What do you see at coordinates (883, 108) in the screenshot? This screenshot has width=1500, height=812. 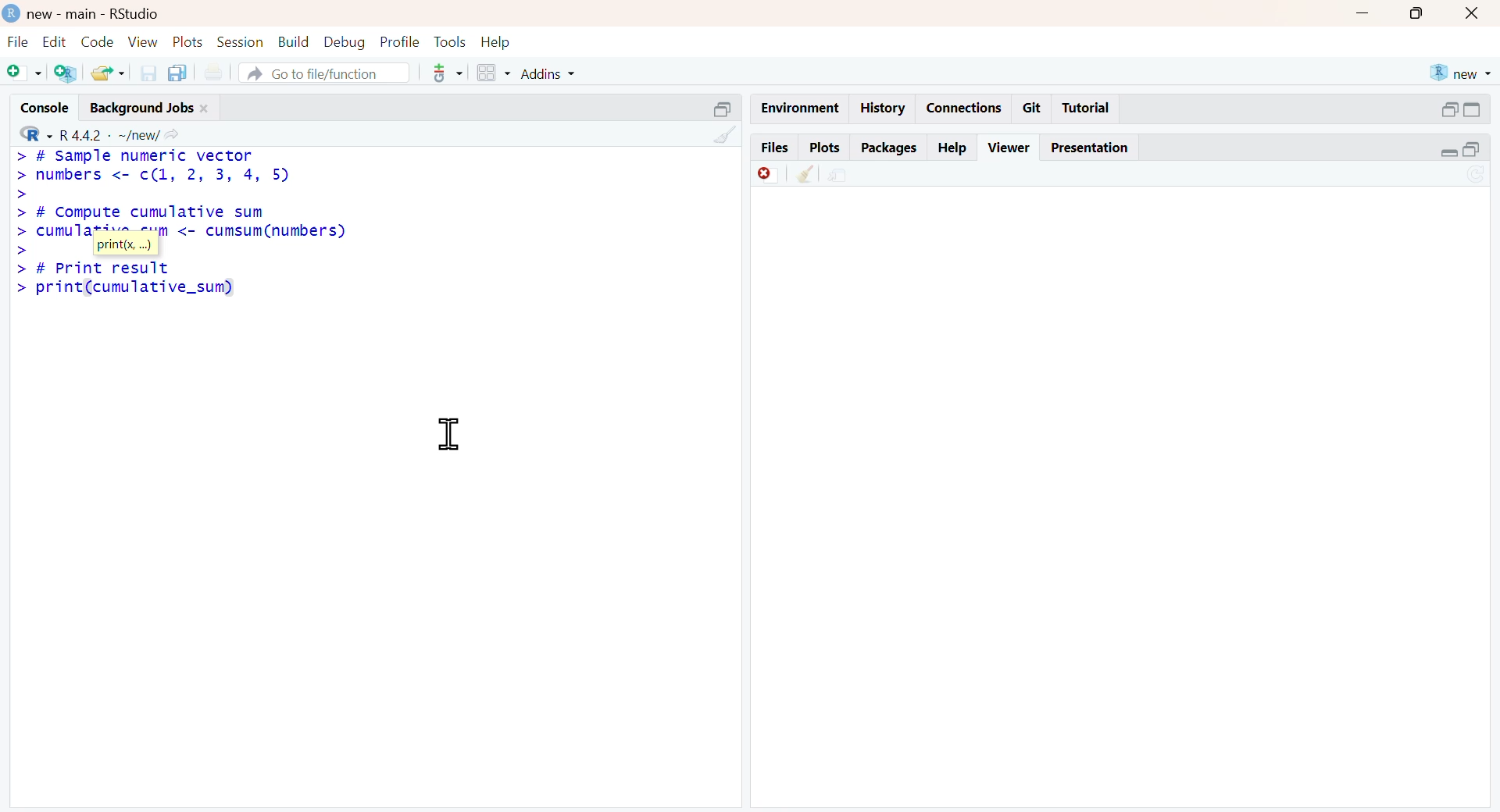 I see `History` at bounding box center [883, 108].